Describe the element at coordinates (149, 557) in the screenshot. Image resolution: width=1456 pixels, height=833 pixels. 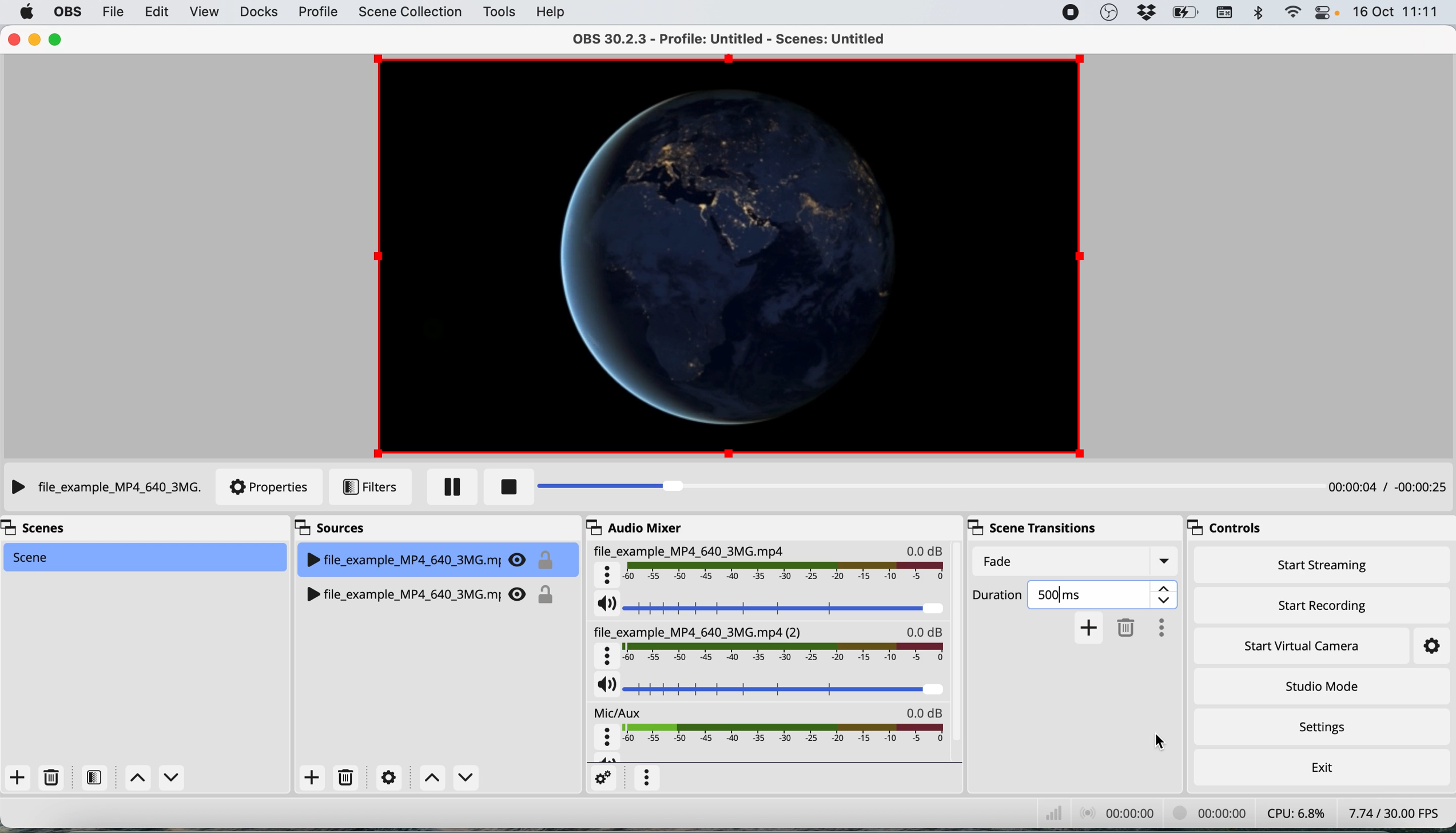
I see `current scene` at that location.